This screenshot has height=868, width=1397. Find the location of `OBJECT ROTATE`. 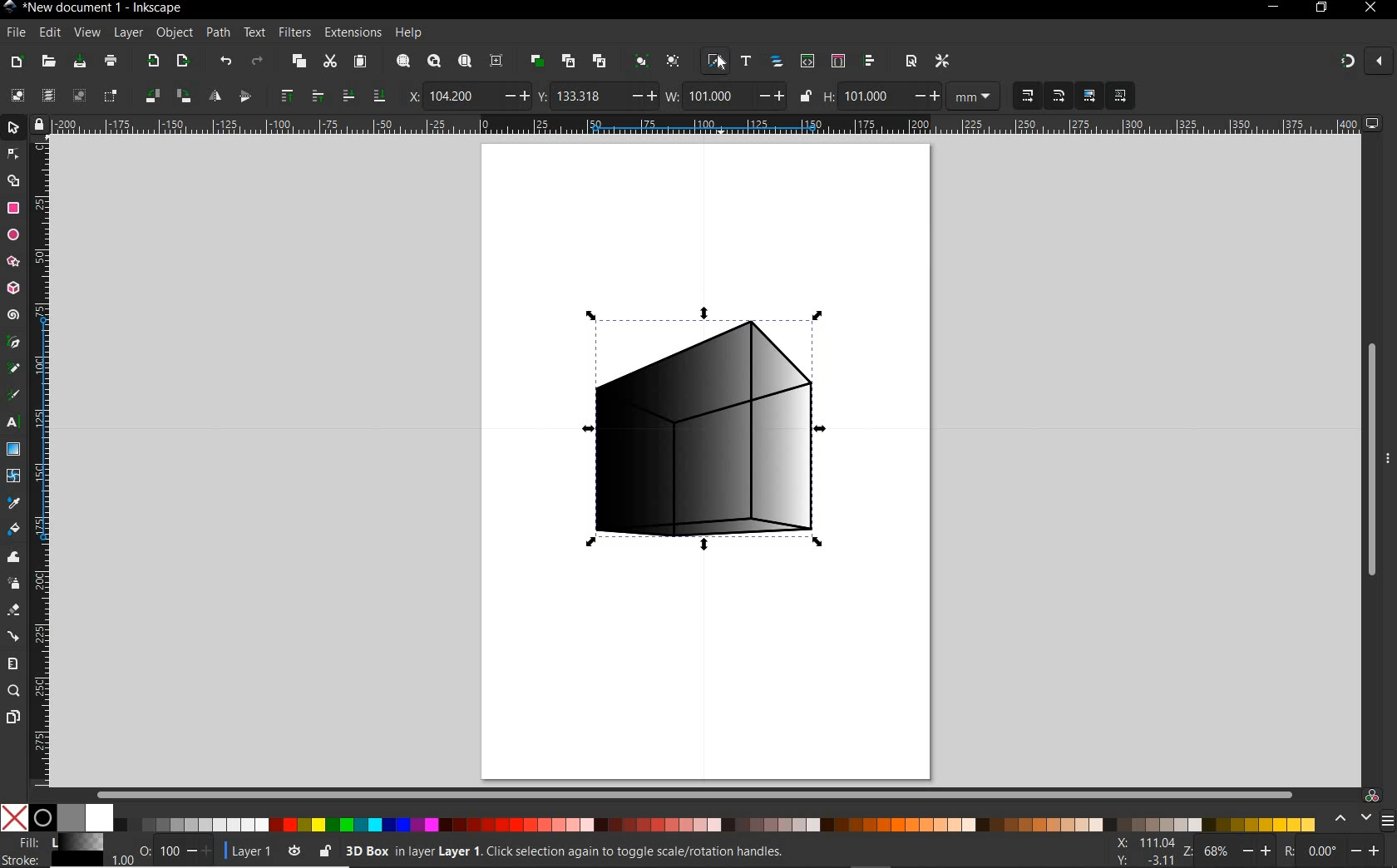

OBJECT ROTATE is located at coordinates (183, 96).